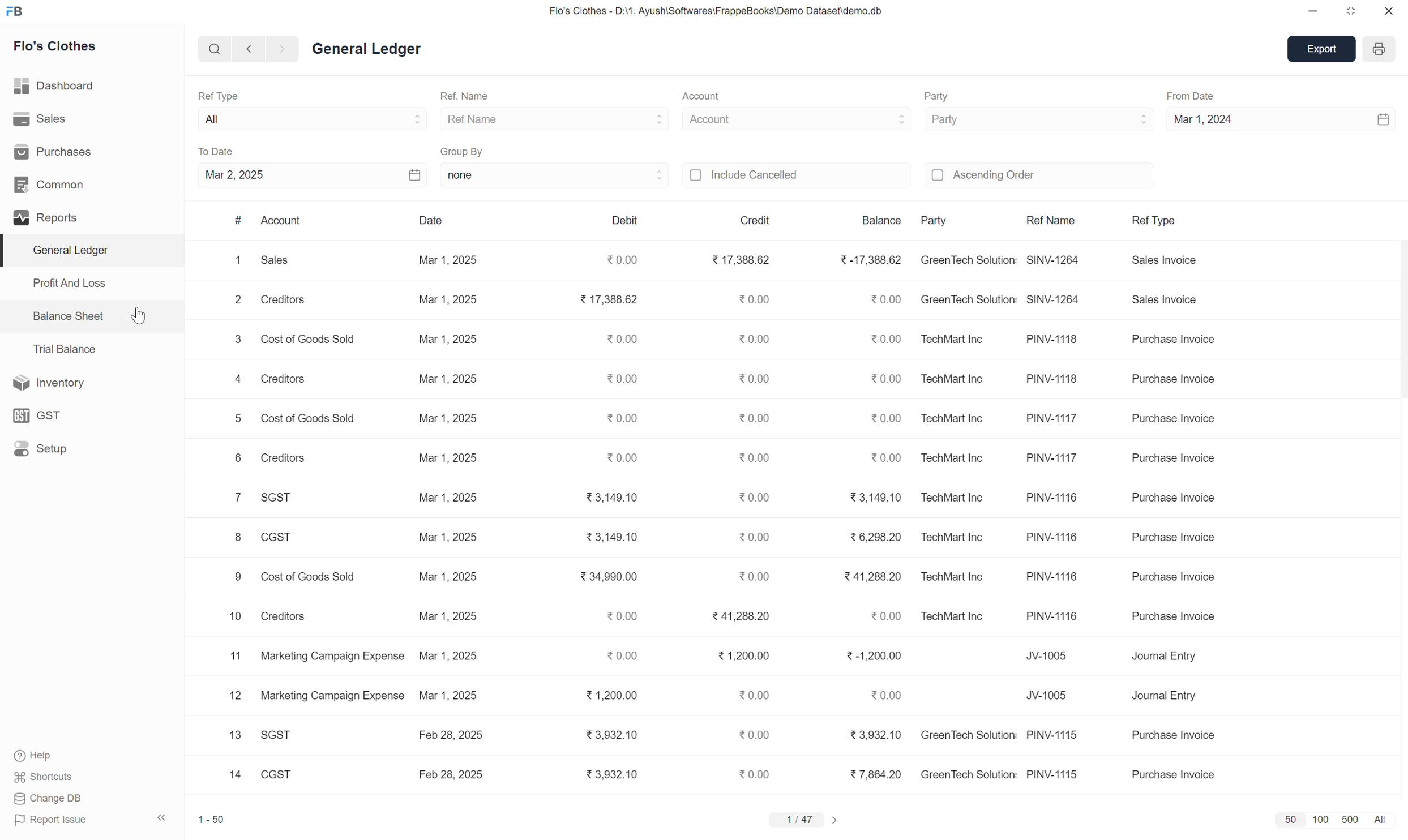  I want to click on Off, so click(937, 173).